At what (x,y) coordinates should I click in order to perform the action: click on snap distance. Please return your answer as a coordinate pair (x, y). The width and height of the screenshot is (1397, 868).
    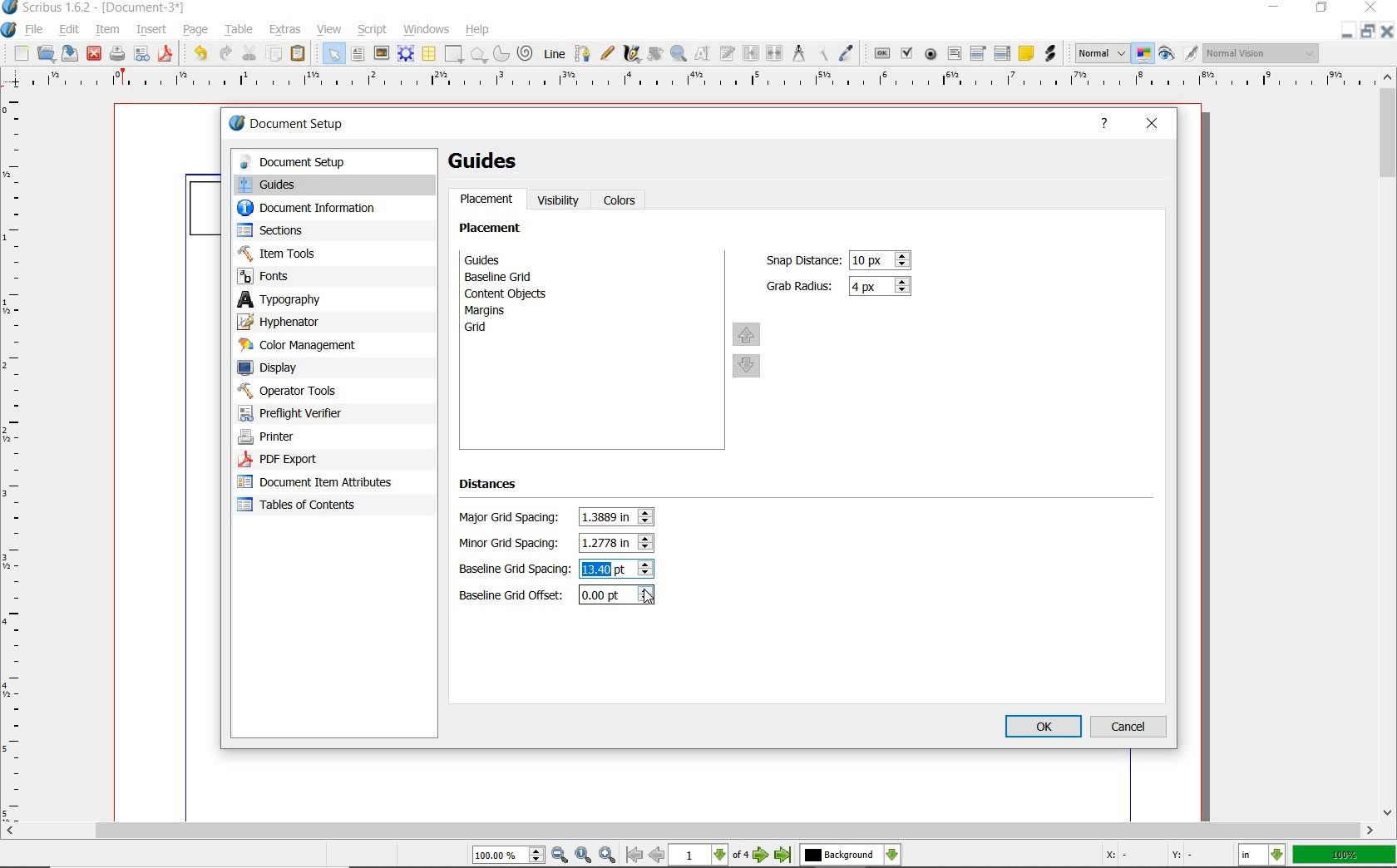
    Looking at the image, I should click on (881, 260).